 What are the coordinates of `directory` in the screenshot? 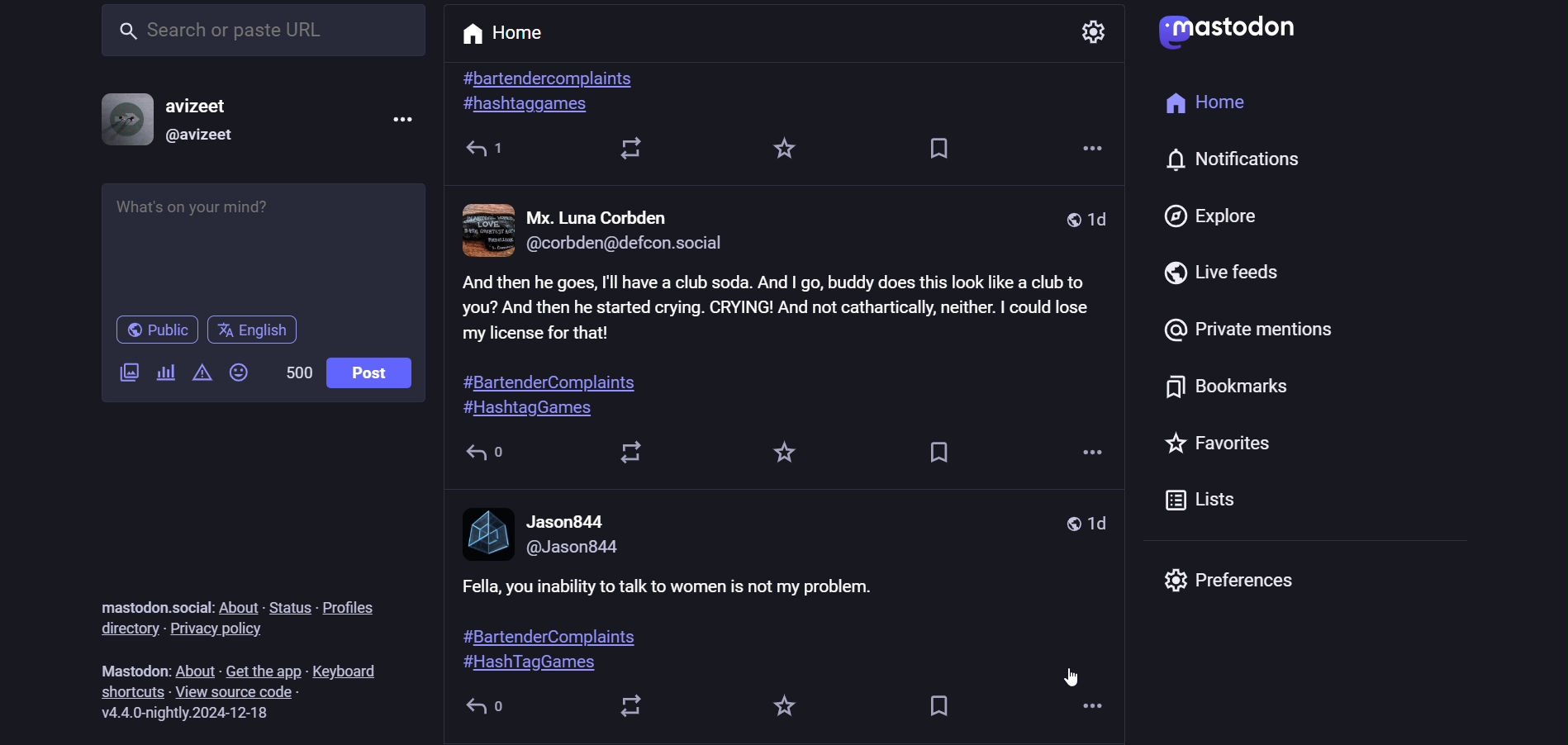 It's located at (126, 631).